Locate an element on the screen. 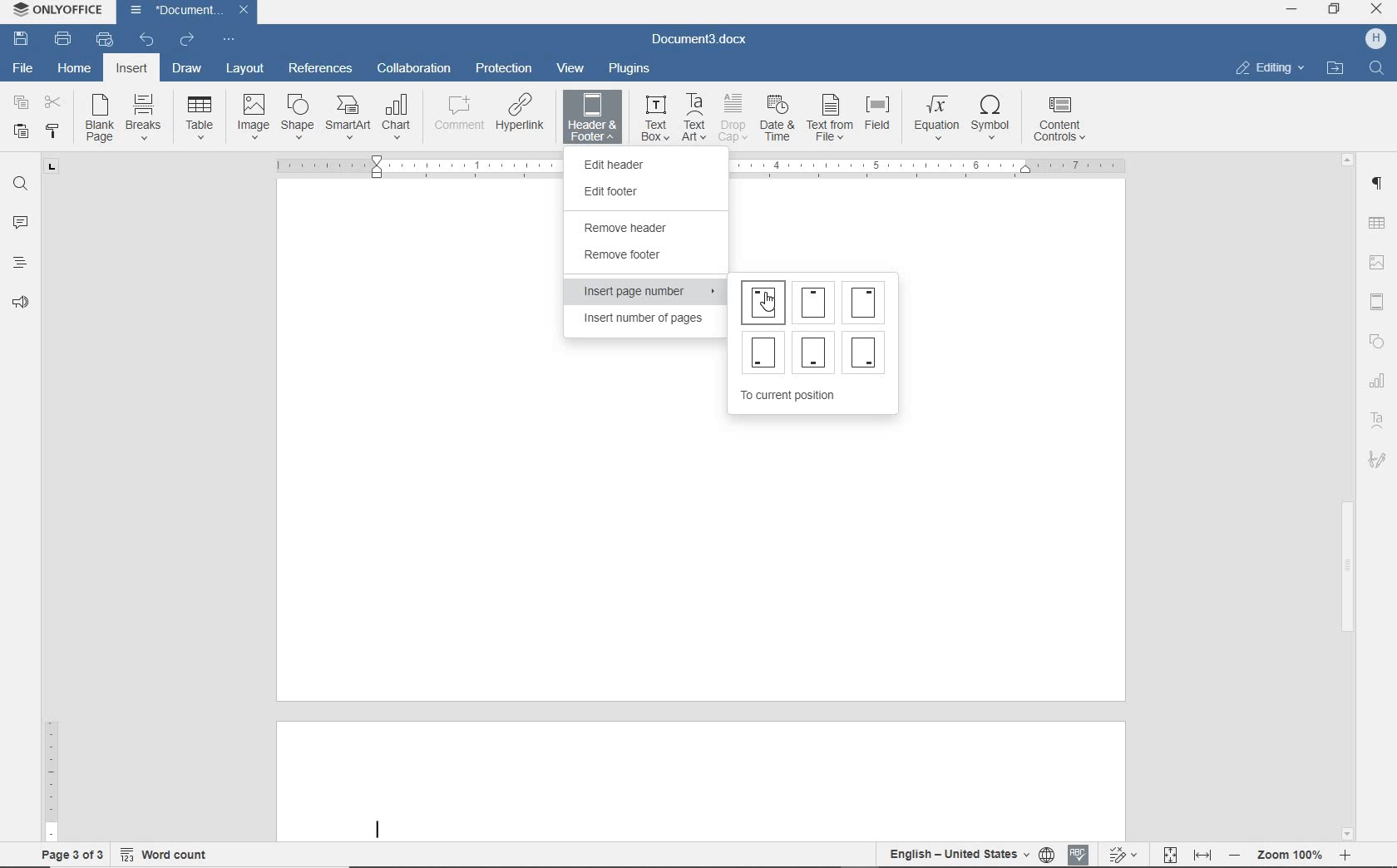  CUT is located at coordinates (53, 103).